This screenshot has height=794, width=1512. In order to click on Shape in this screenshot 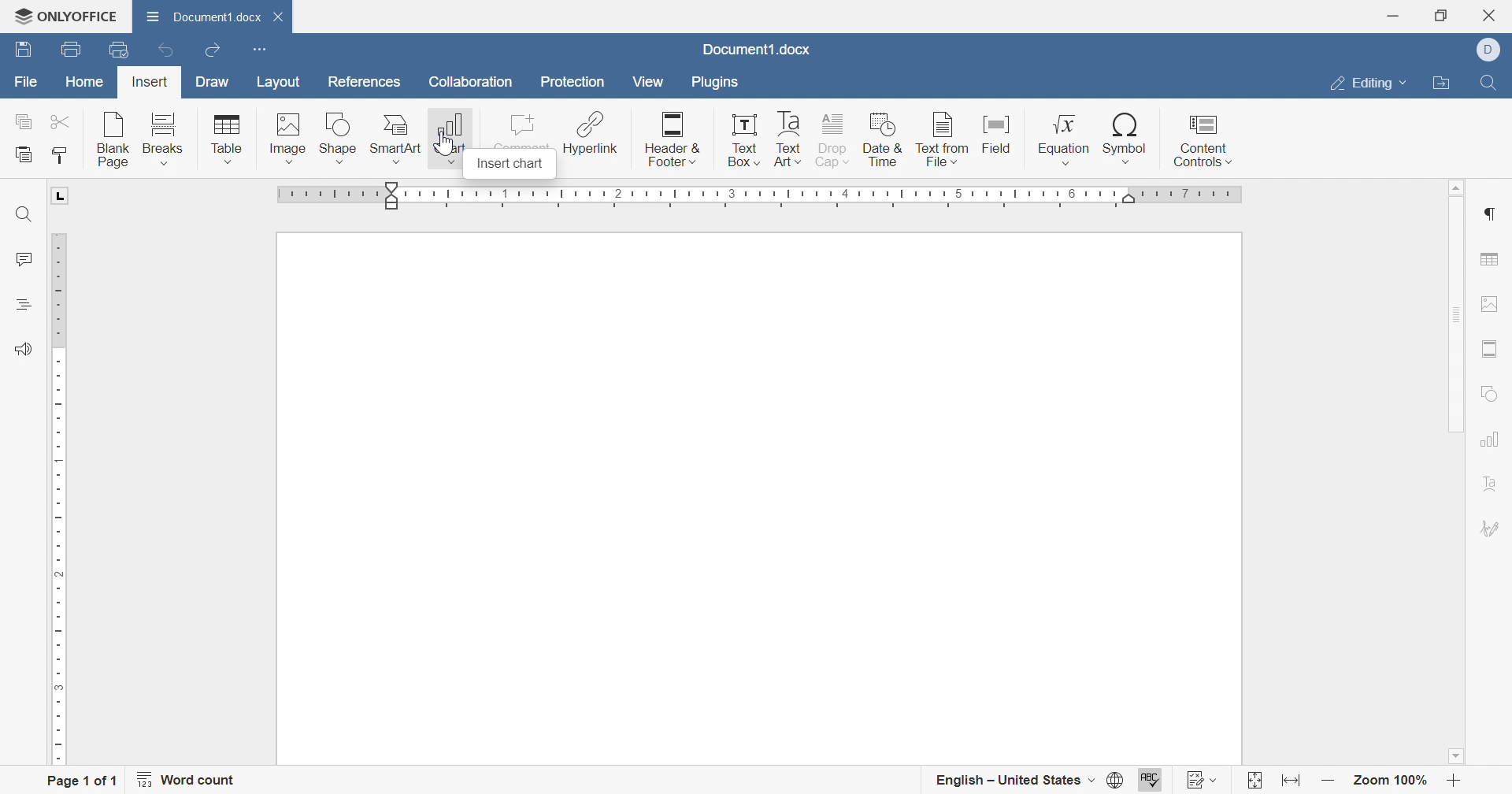, I will do `click(339, 136)`.